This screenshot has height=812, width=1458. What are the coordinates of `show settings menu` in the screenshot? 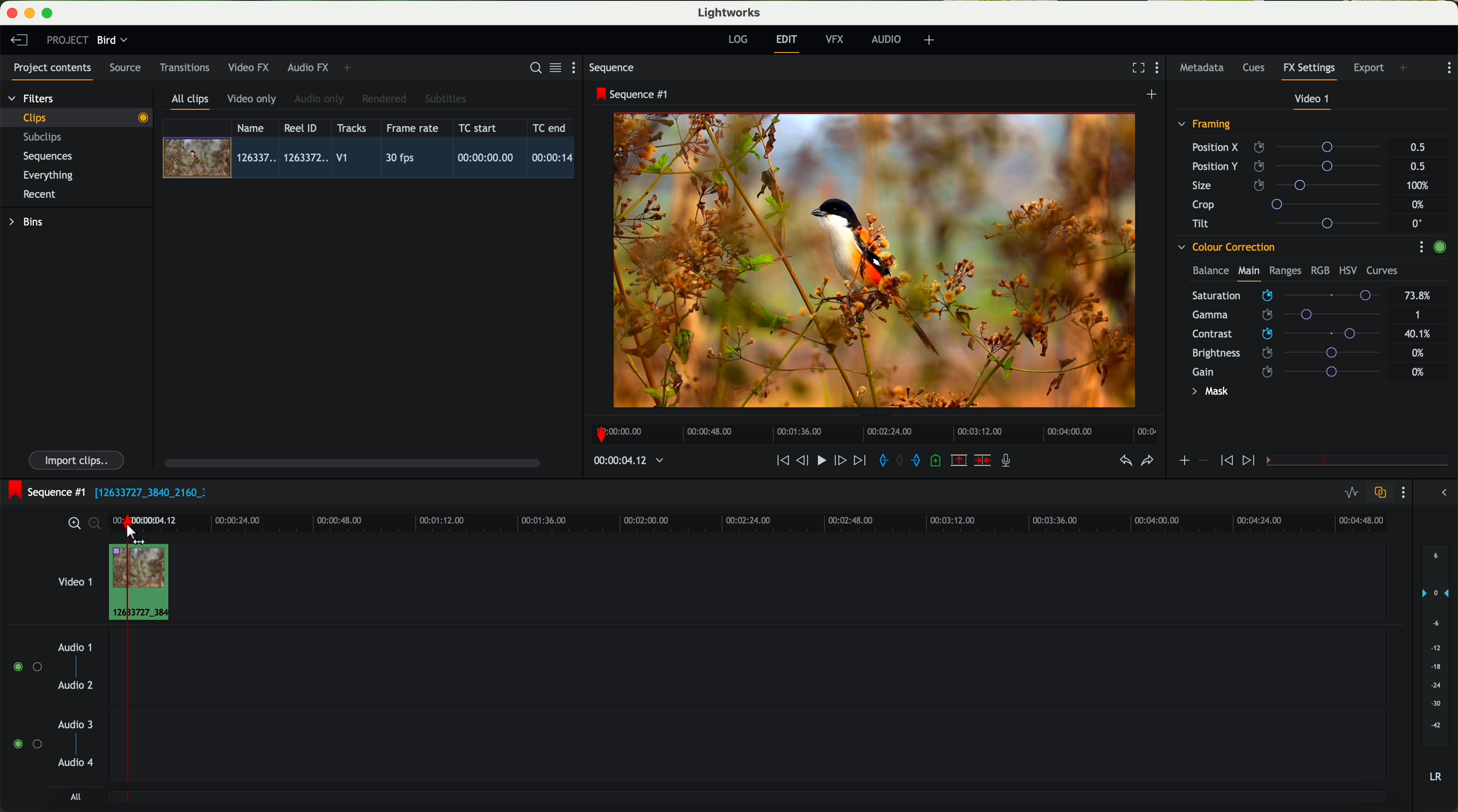 It's located at (1160, 69).